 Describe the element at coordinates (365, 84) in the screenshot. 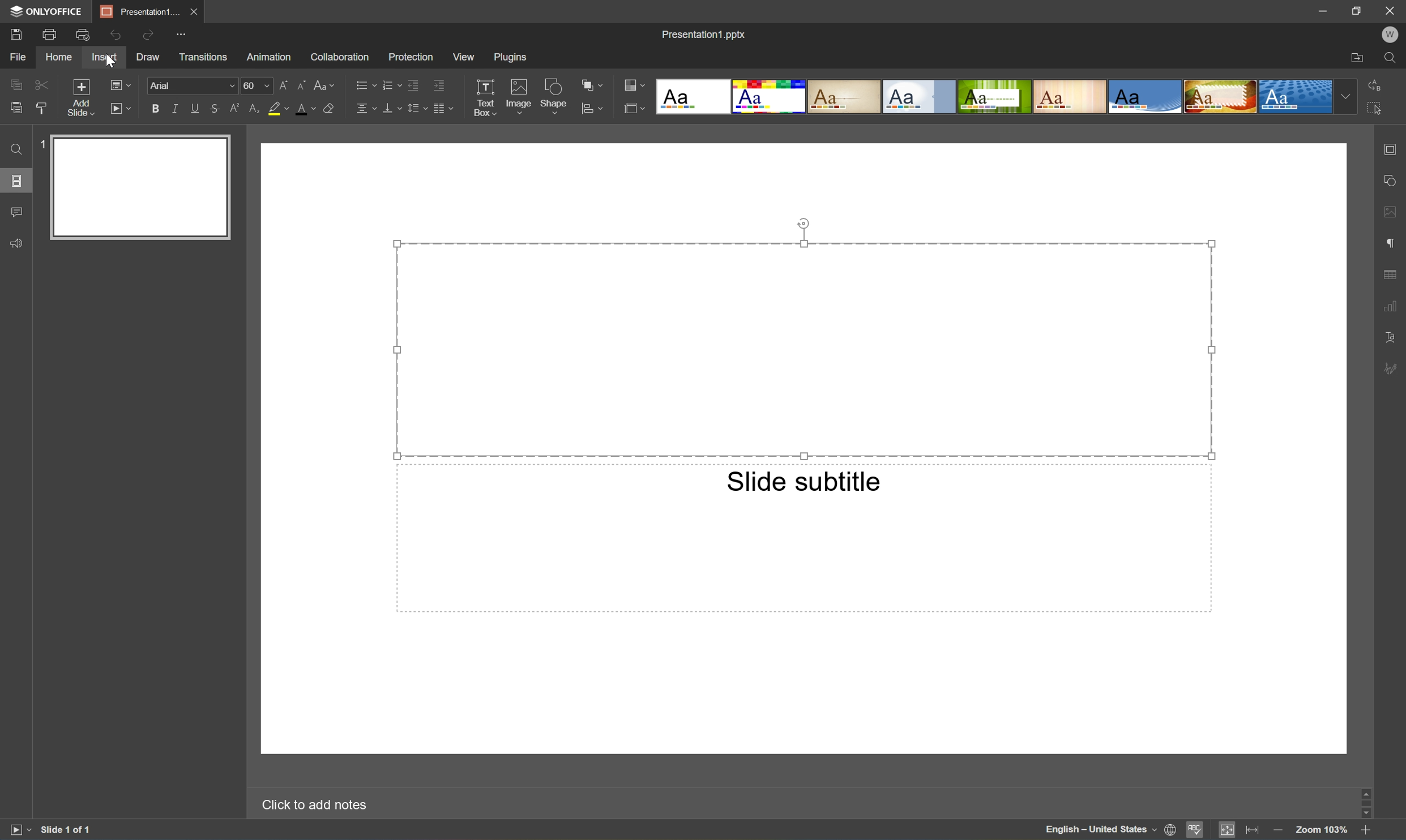

I see `Bullets` at that location.